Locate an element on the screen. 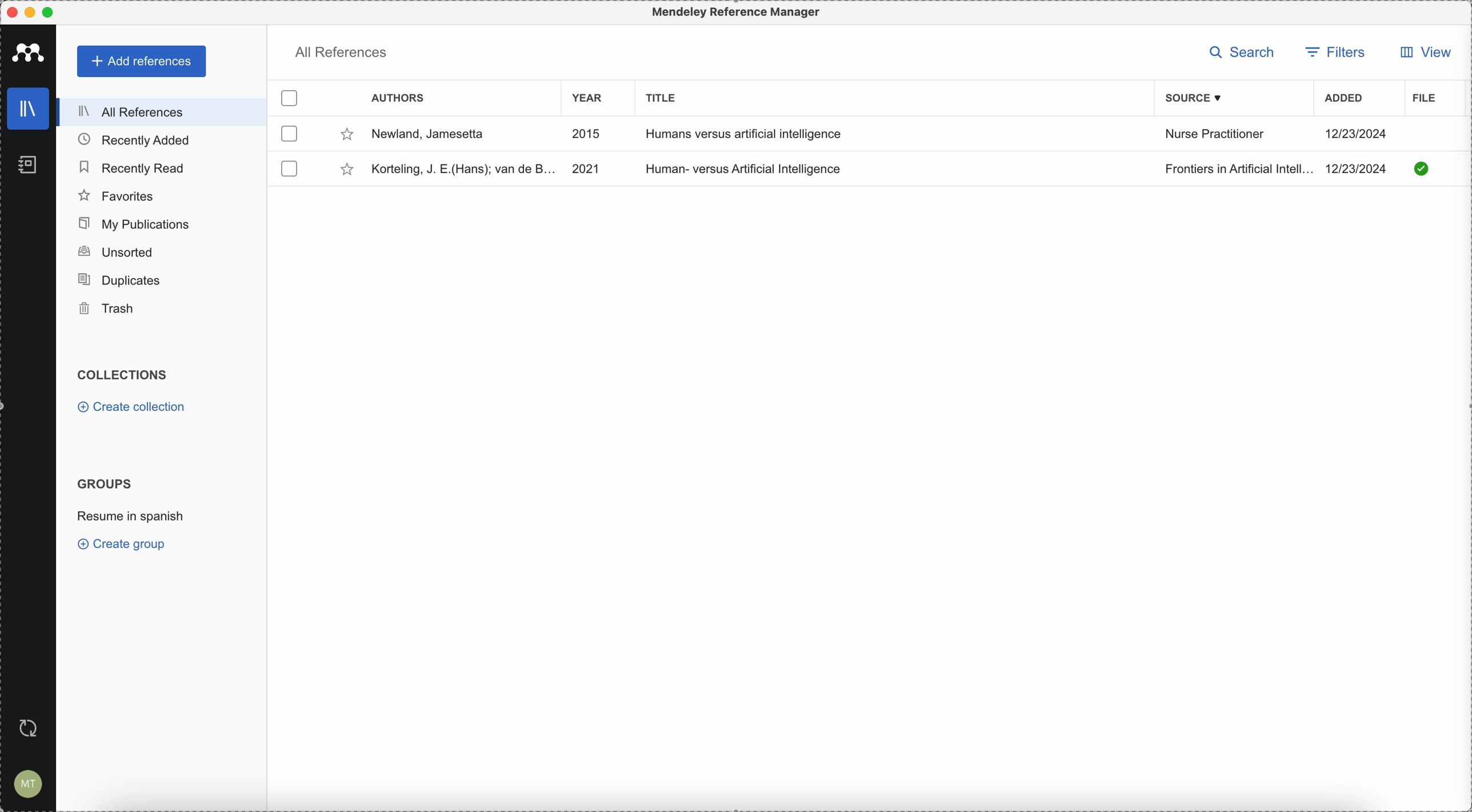  Human- versus Artificial Intelligence is located at coordinates (746, 168).